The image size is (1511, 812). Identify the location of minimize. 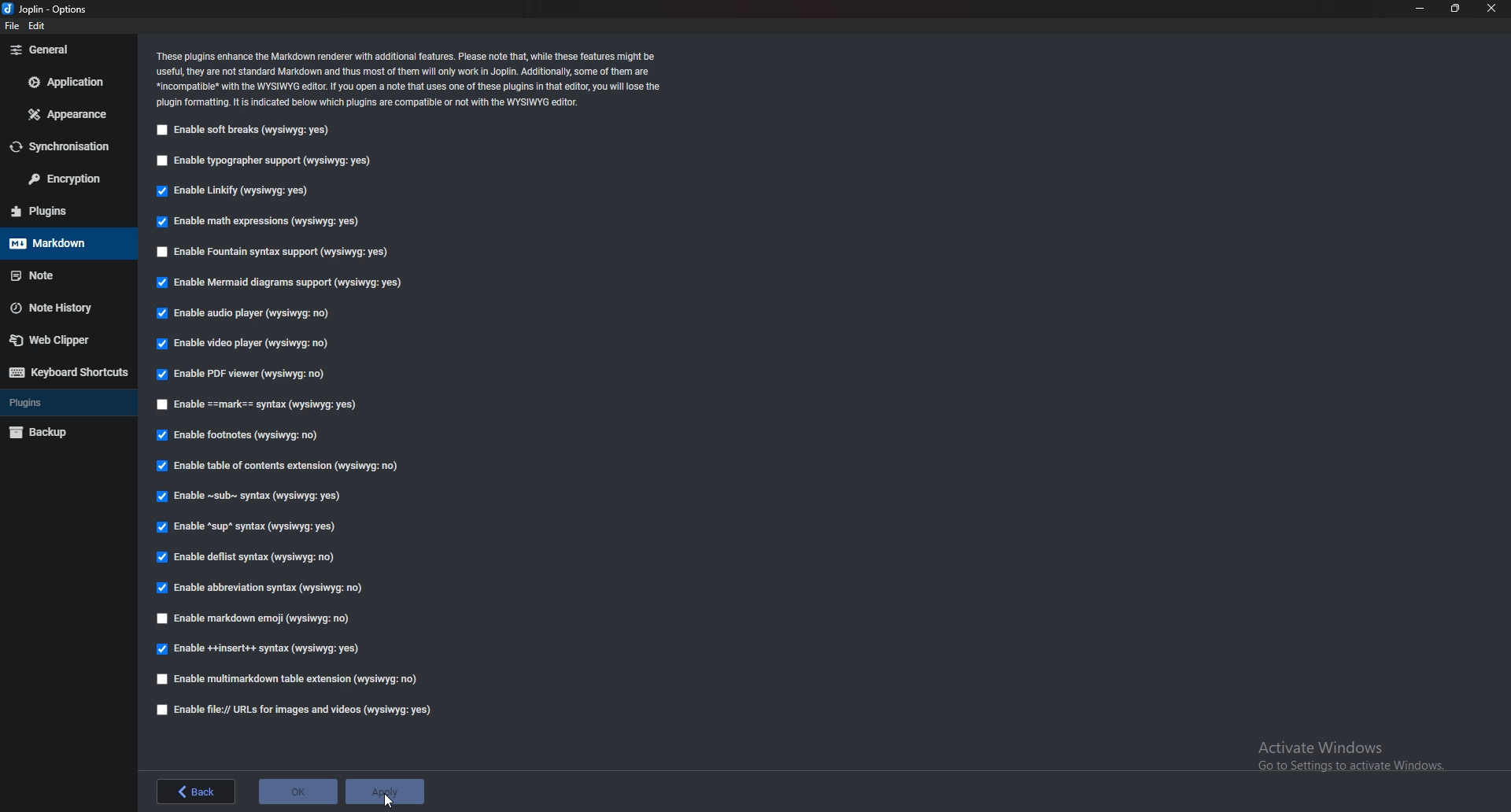
(1420, 8).